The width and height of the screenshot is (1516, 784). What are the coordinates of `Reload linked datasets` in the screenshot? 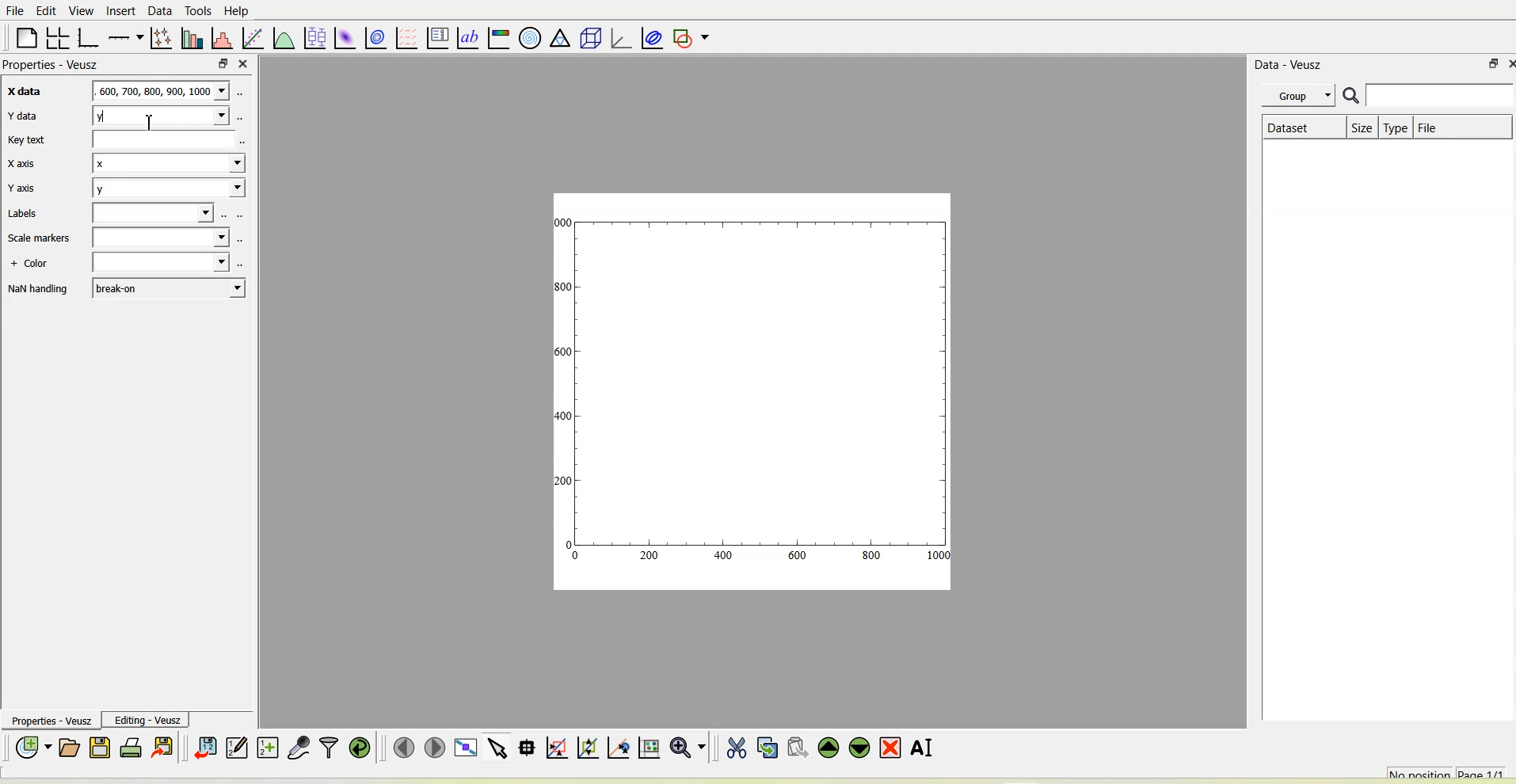 It's located at (360, 747).